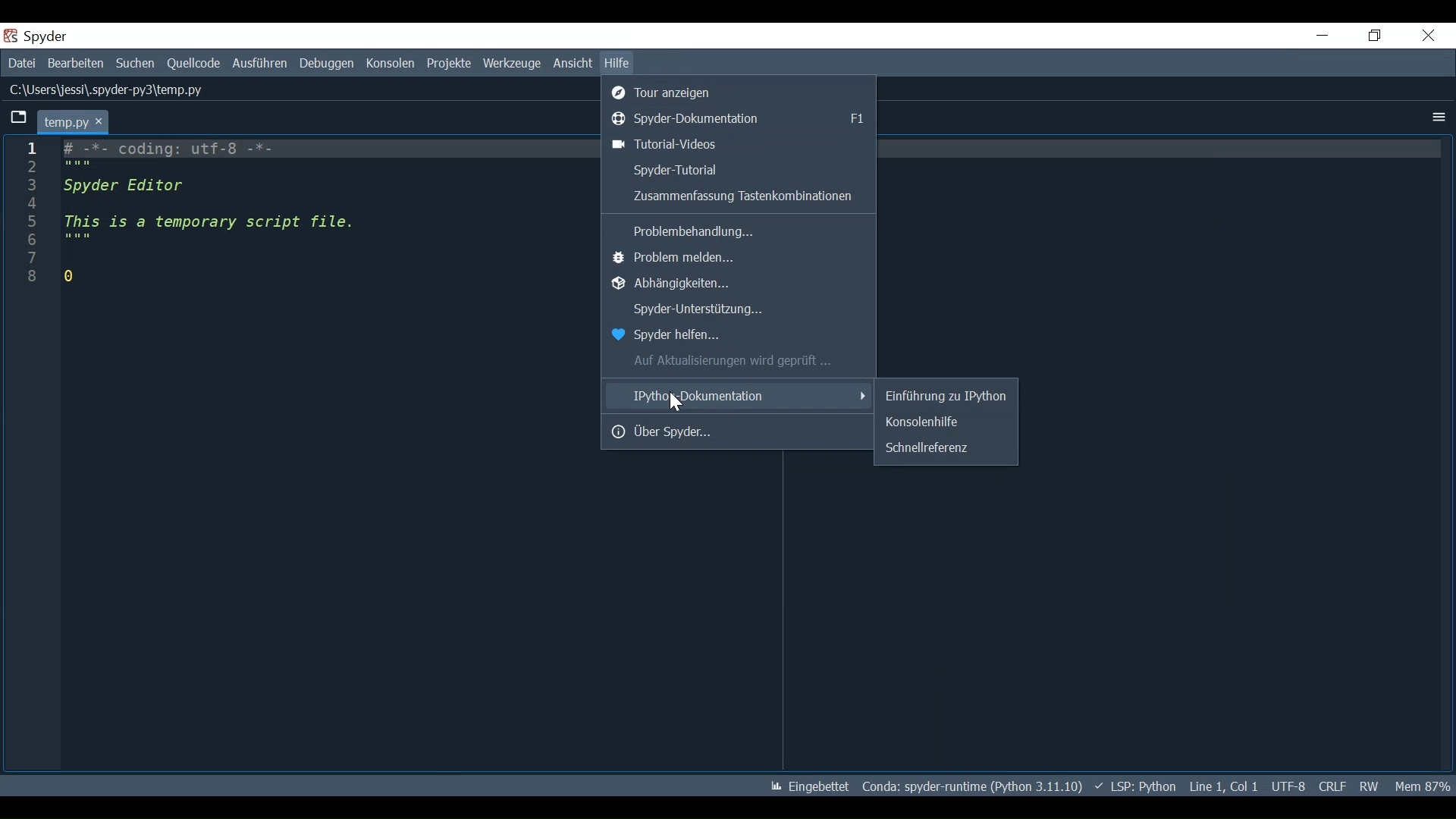  I want to click on Conda: spyder-runtime(Python 3.11.10), so click(970, 786).